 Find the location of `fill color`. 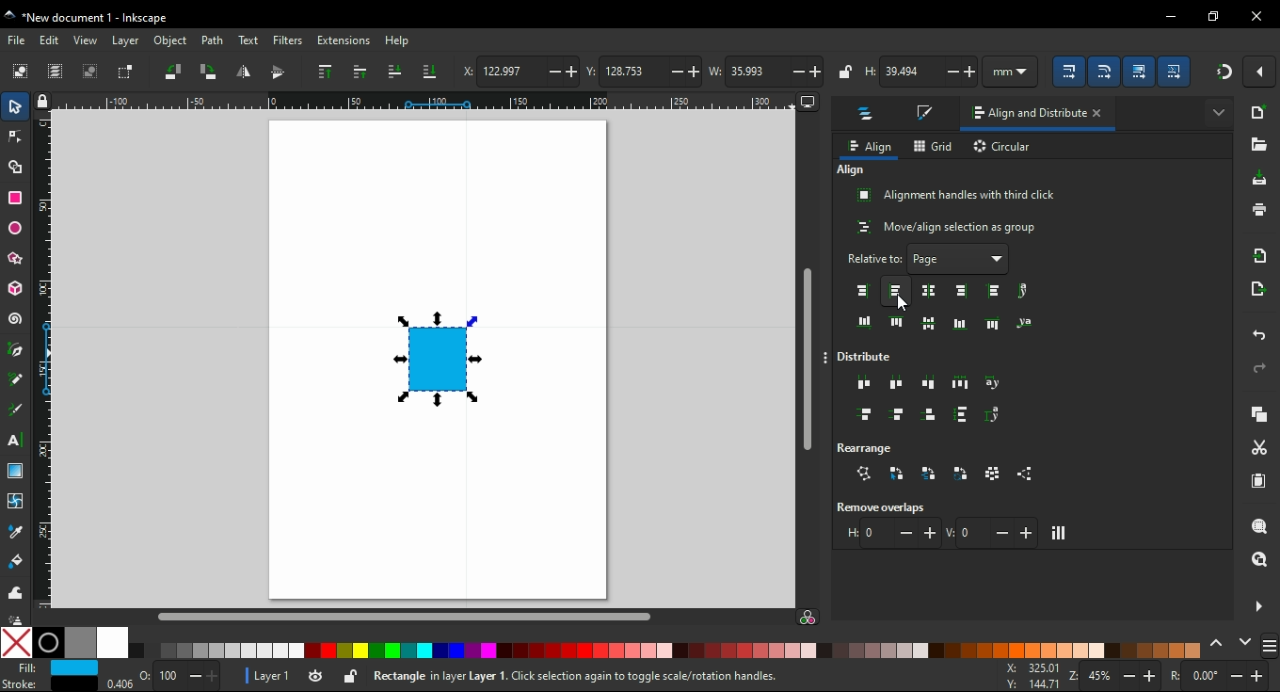

fill color is located at coordinates (54, 668).